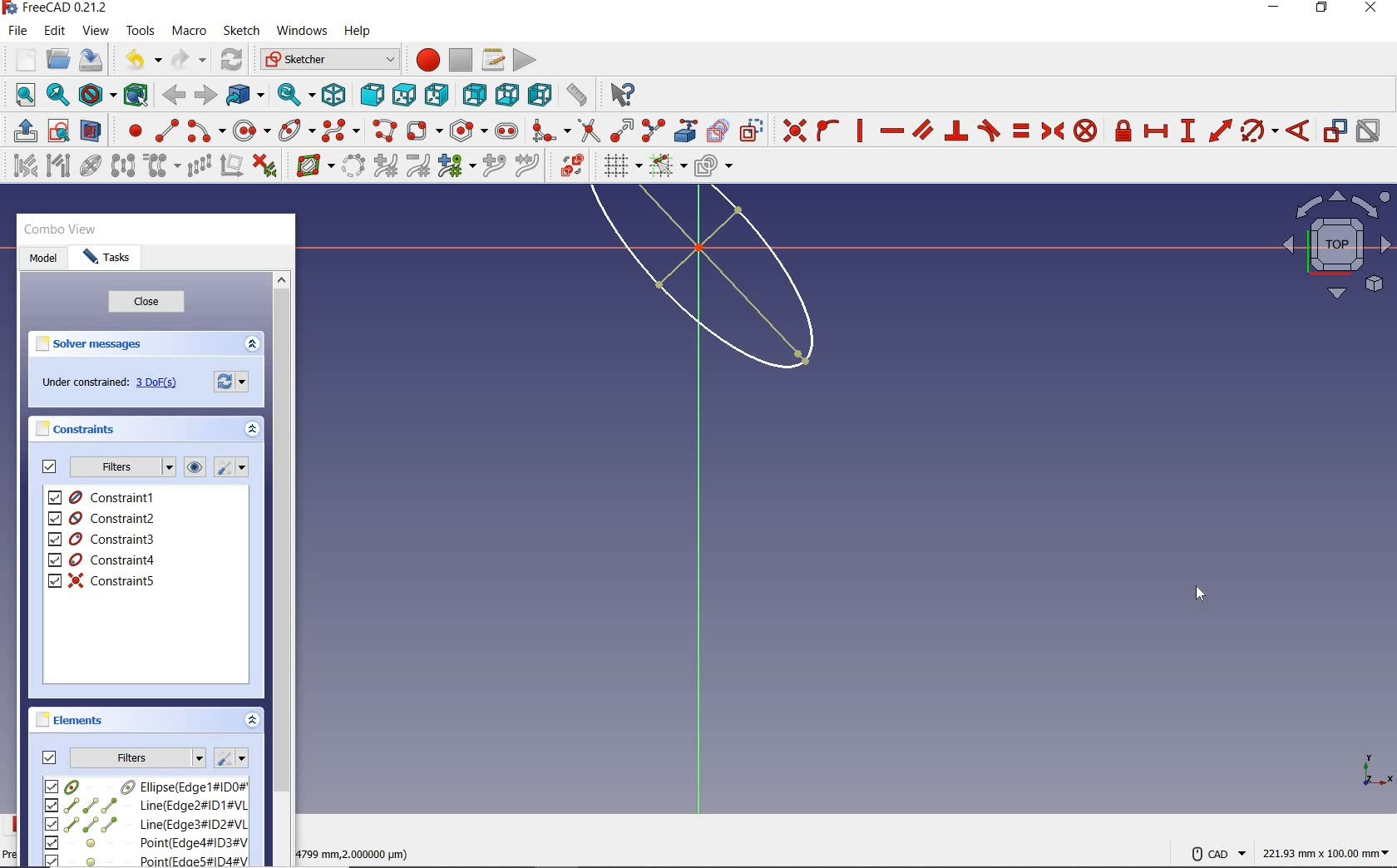  Describe the element at coordinates (50, 757) in the screenshot. I see `check to toggle filters` at that location.